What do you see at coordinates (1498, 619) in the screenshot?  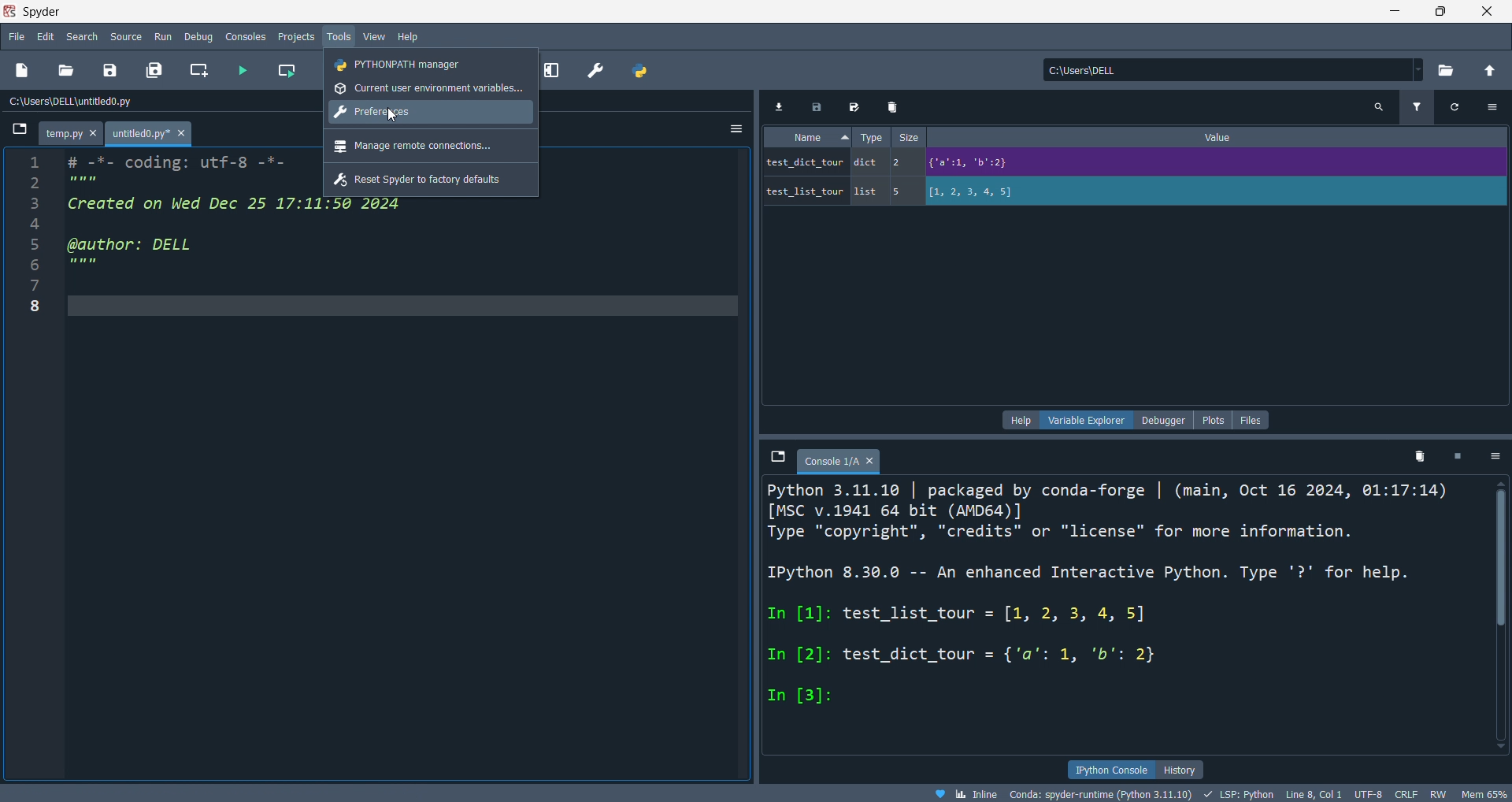 I see `scrollbar` at bounding box center [1498, 619].